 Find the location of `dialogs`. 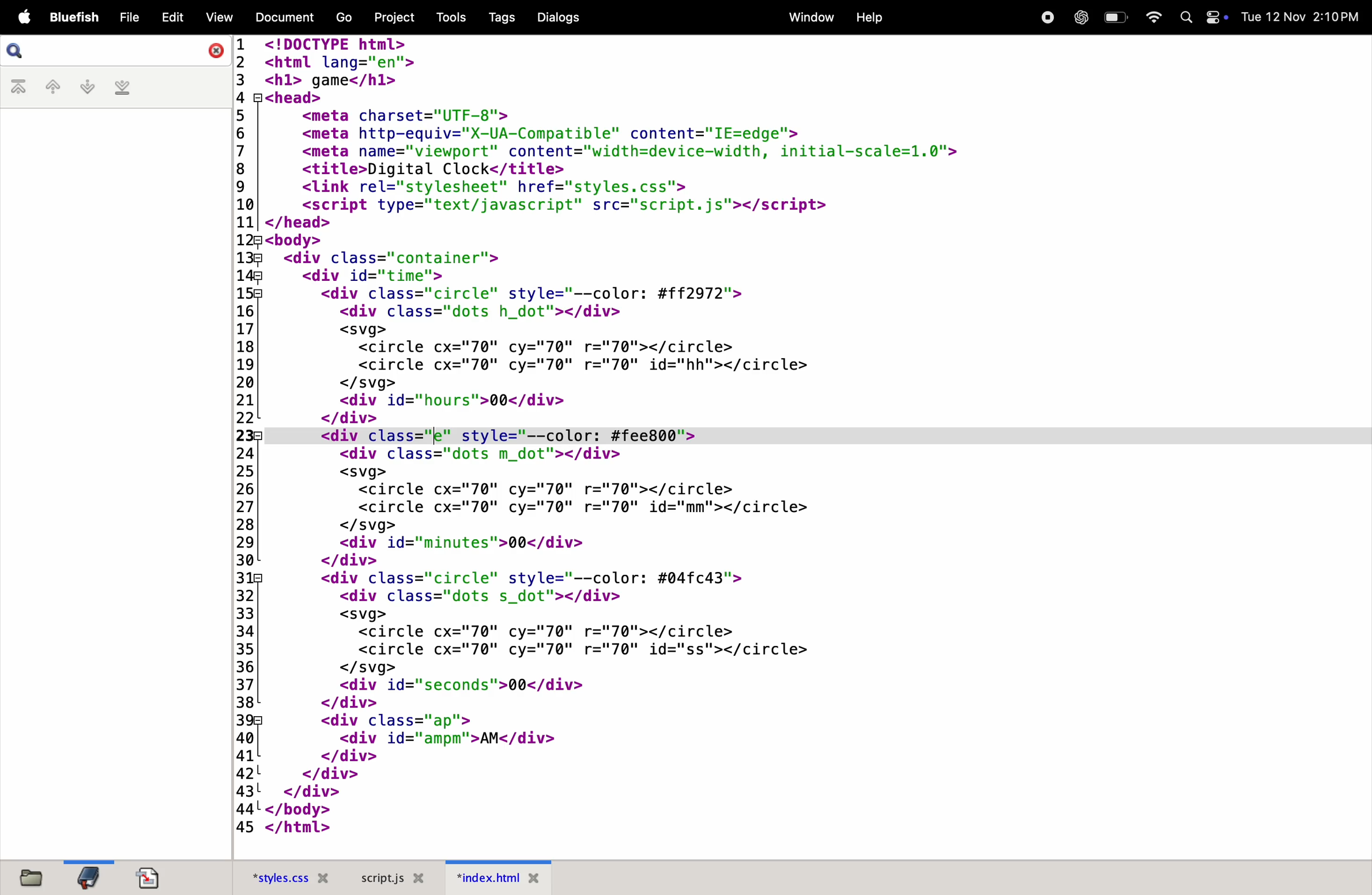

dialogs is located at coordinates (559, 16).